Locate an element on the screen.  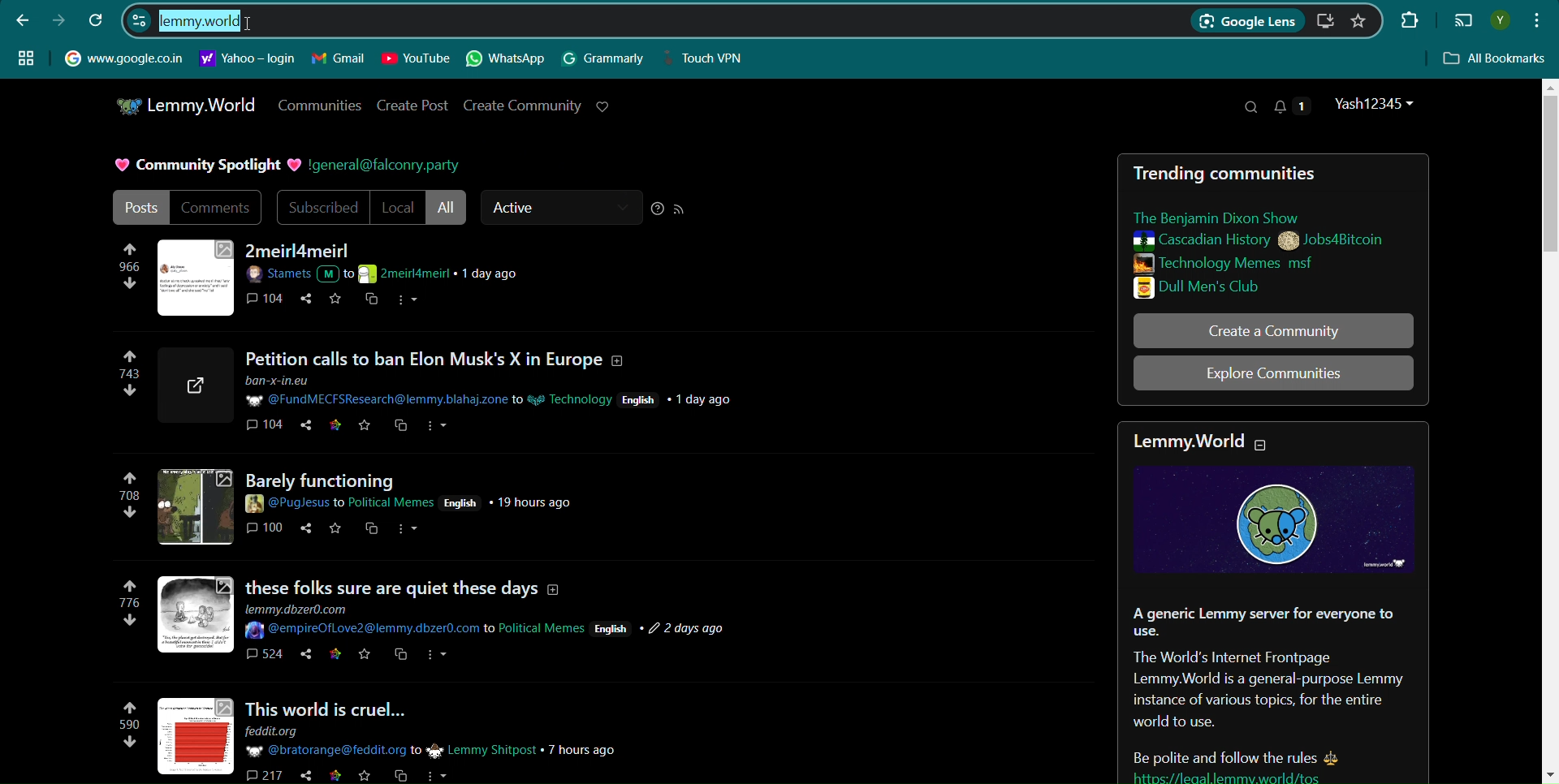
This world is cruel is located at coordinates (353, 706).